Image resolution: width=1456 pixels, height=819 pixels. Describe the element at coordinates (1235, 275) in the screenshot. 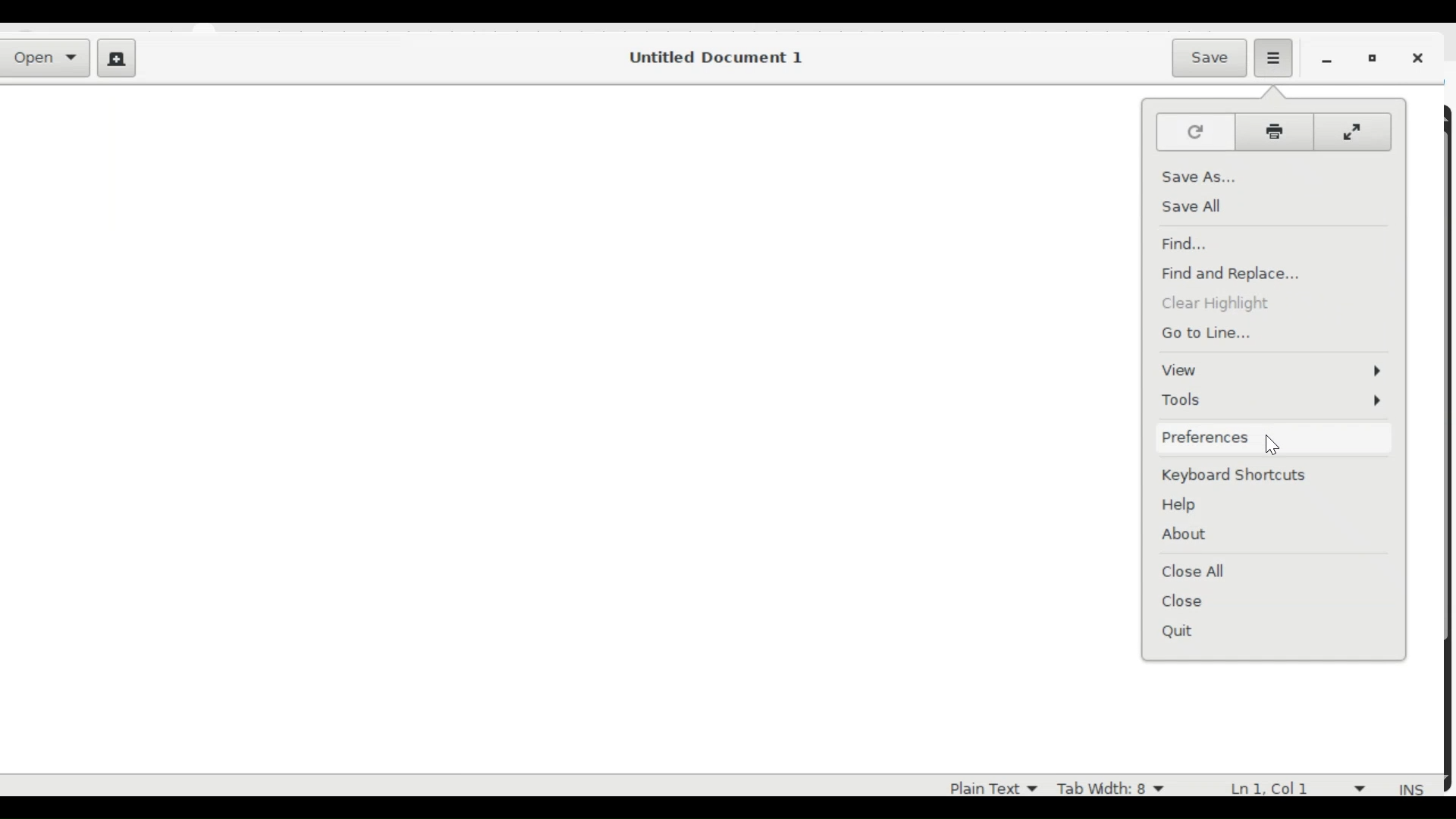

I see `Find and Replace` at that location.